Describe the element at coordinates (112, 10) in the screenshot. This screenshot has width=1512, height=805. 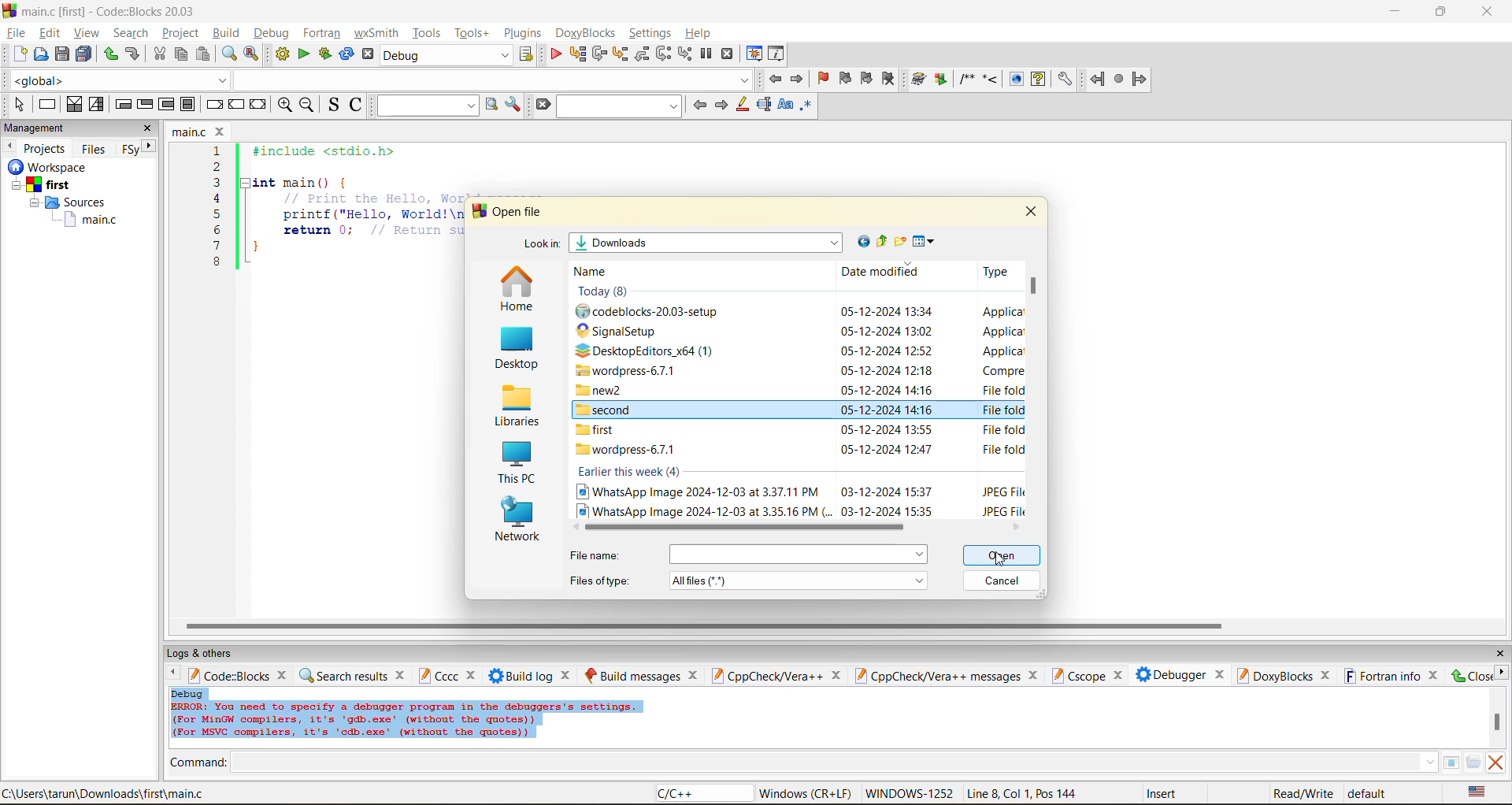
I see `app name and file name` at that location.